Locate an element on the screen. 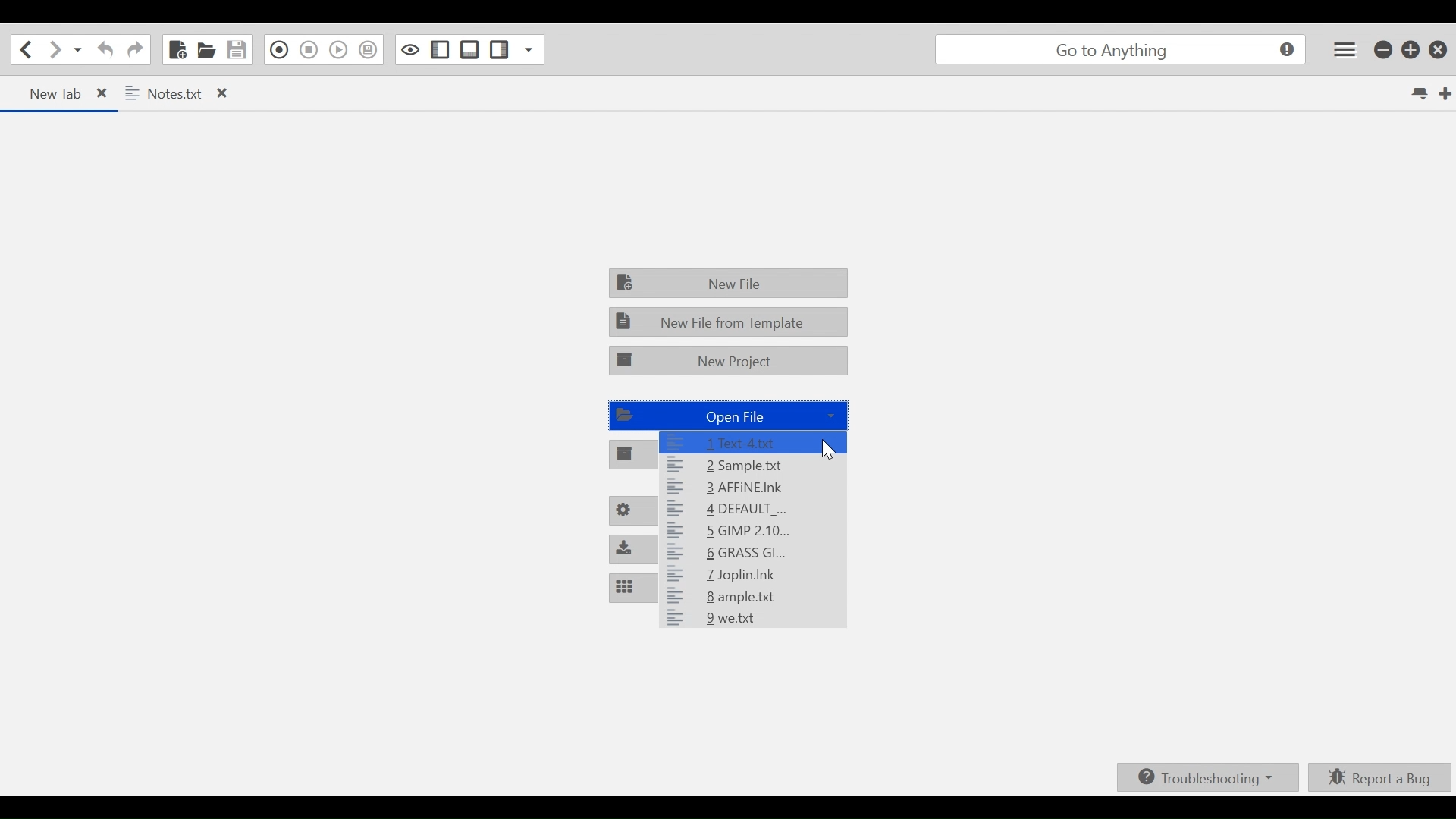 Image resolution: width=1456 pixels, height=819 pixels. Undo Last Action is located at coordinates (103, 50).